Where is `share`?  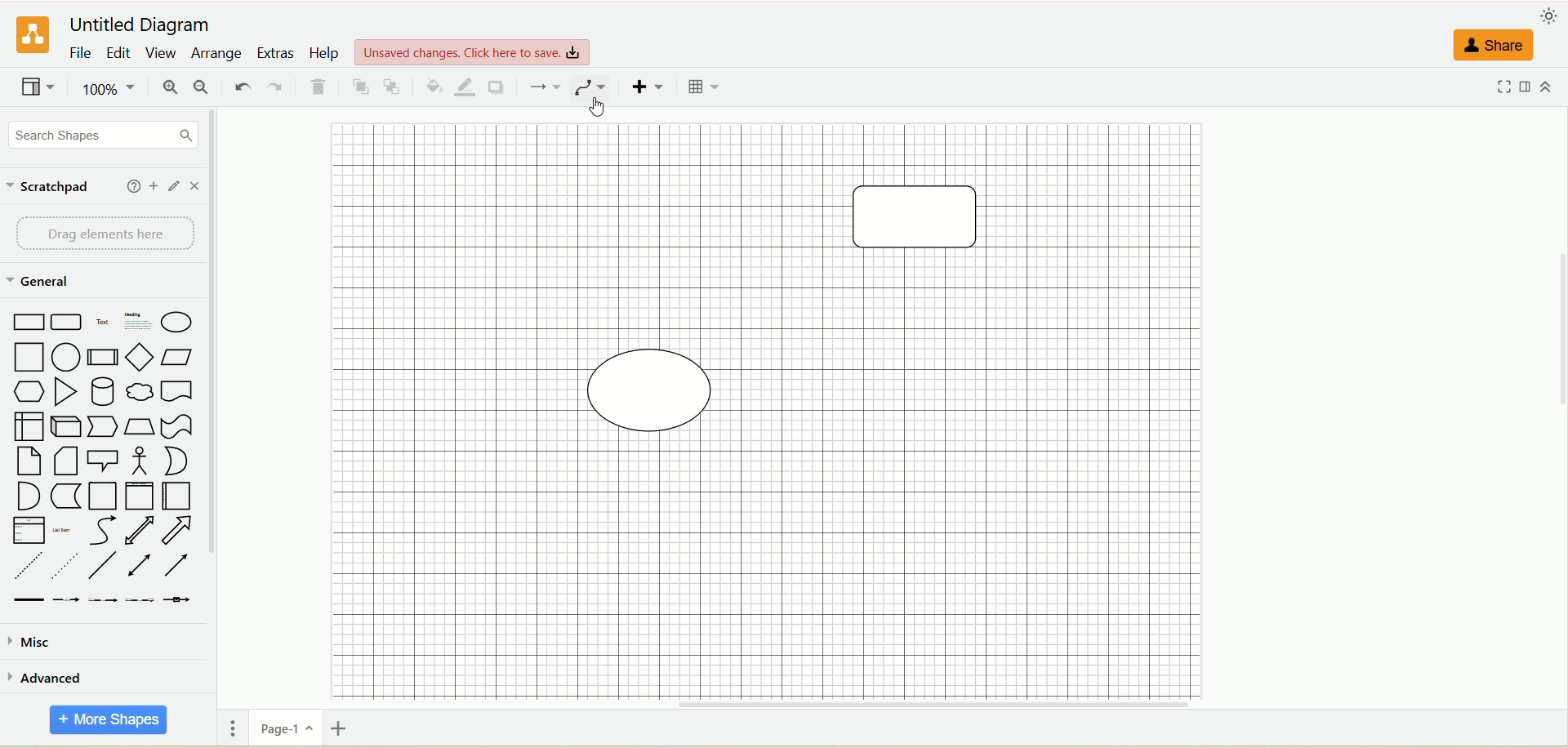
share is located at coordinates (1491, 45).